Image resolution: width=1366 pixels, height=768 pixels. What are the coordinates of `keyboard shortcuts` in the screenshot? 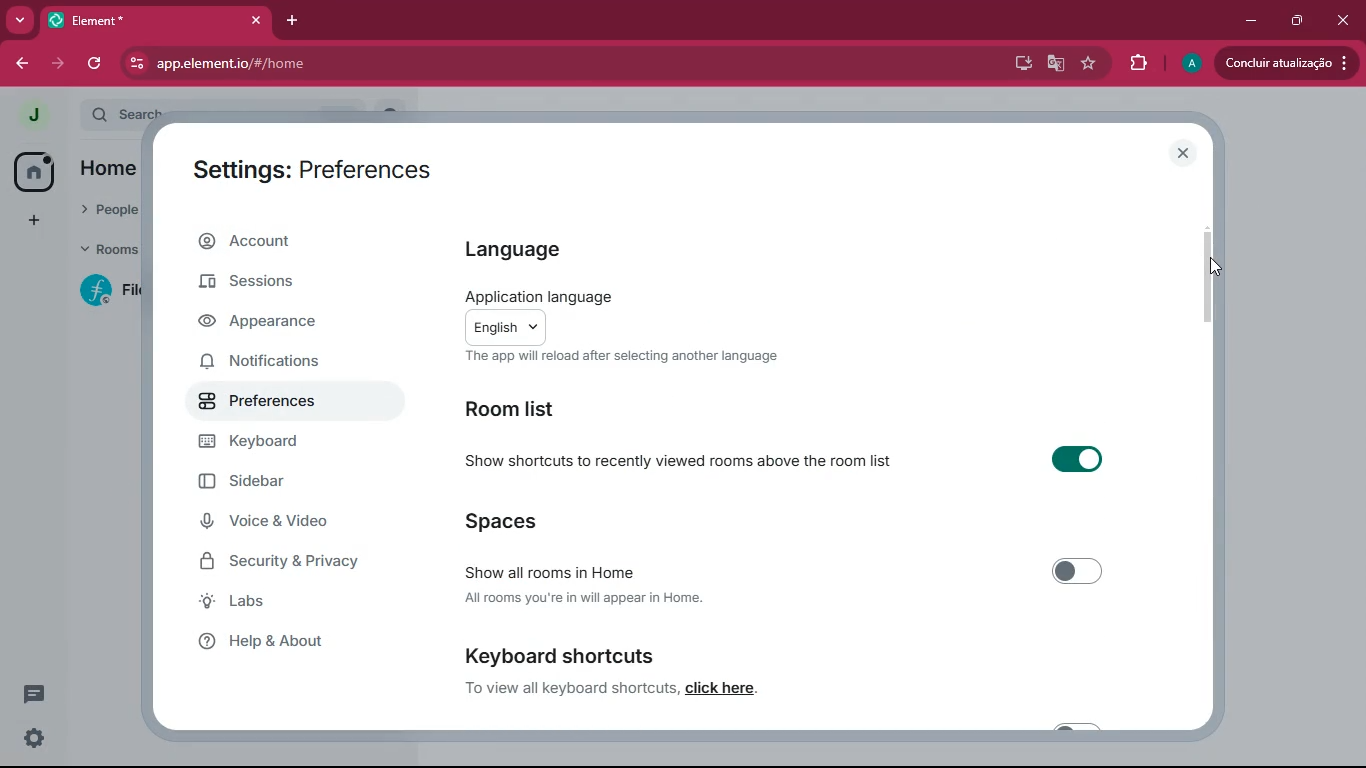 It's located at (557, 654).